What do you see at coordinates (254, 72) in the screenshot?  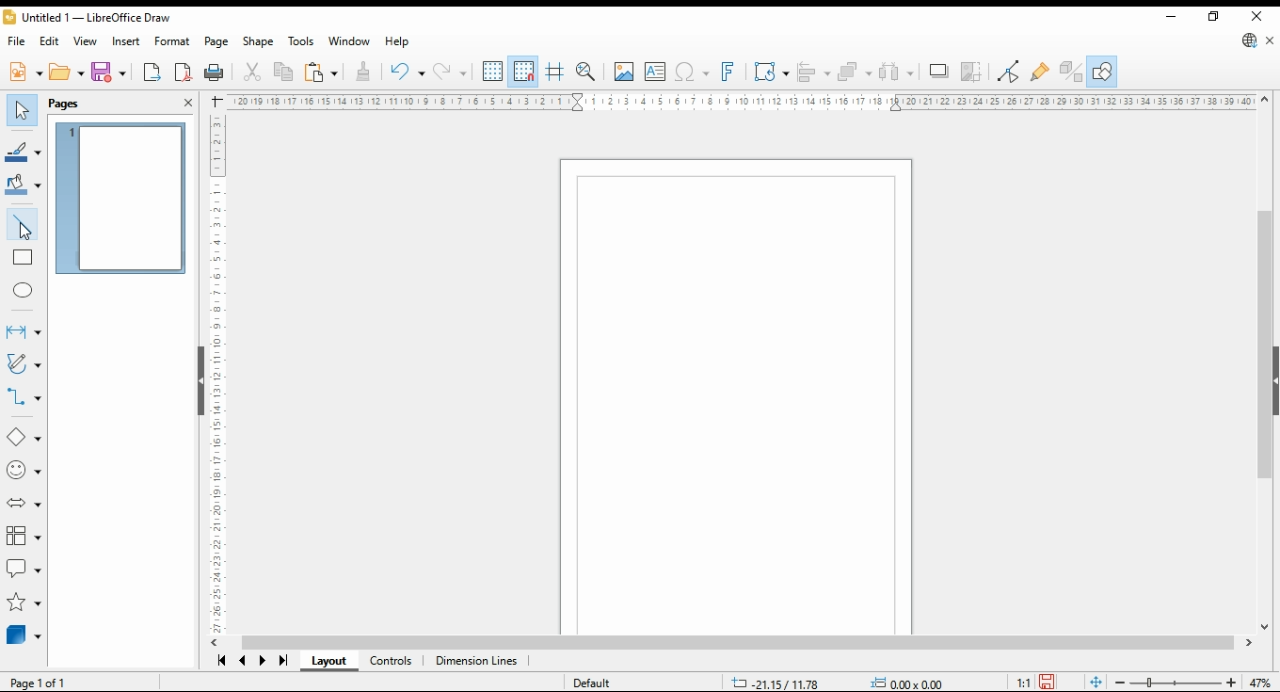 I see `cut` at bounding box center [254, 72].